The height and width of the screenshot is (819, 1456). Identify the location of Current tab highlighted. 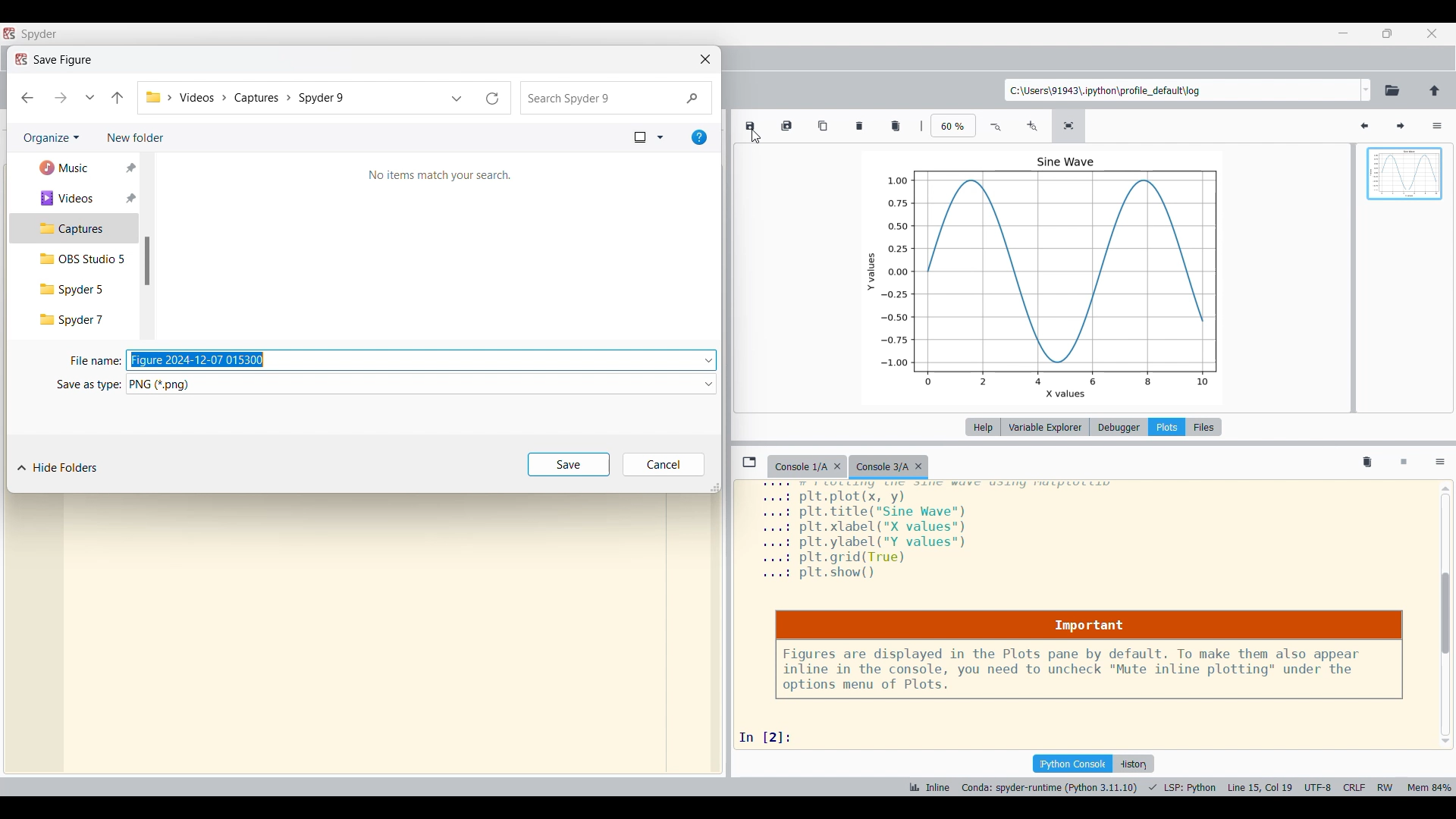
(891, 467).